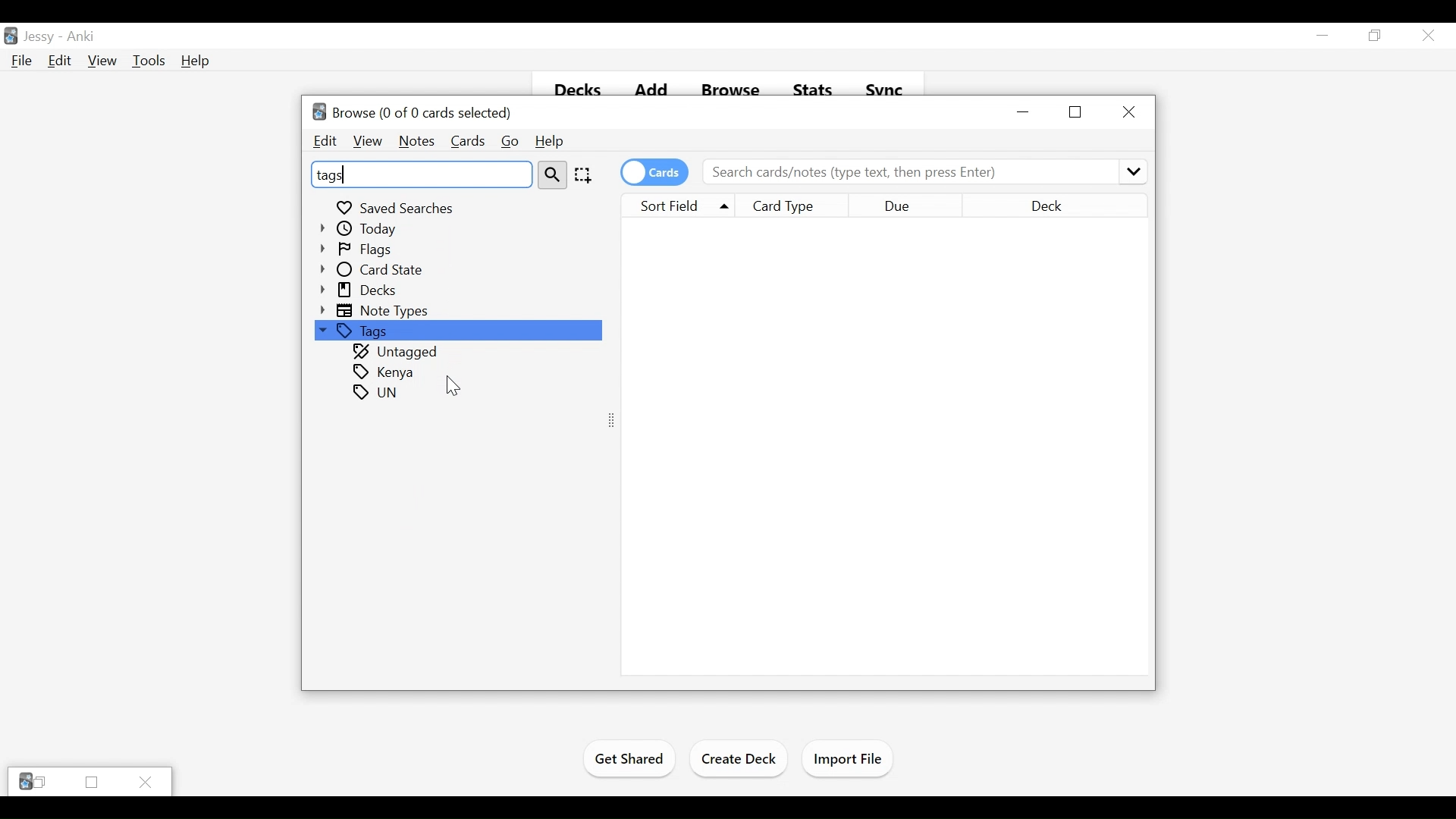 The height and width of the screenshot is (819, 1456). Describe the element at coordinates (740, 758) in the screenshot. I see `Create Deck` at that location.